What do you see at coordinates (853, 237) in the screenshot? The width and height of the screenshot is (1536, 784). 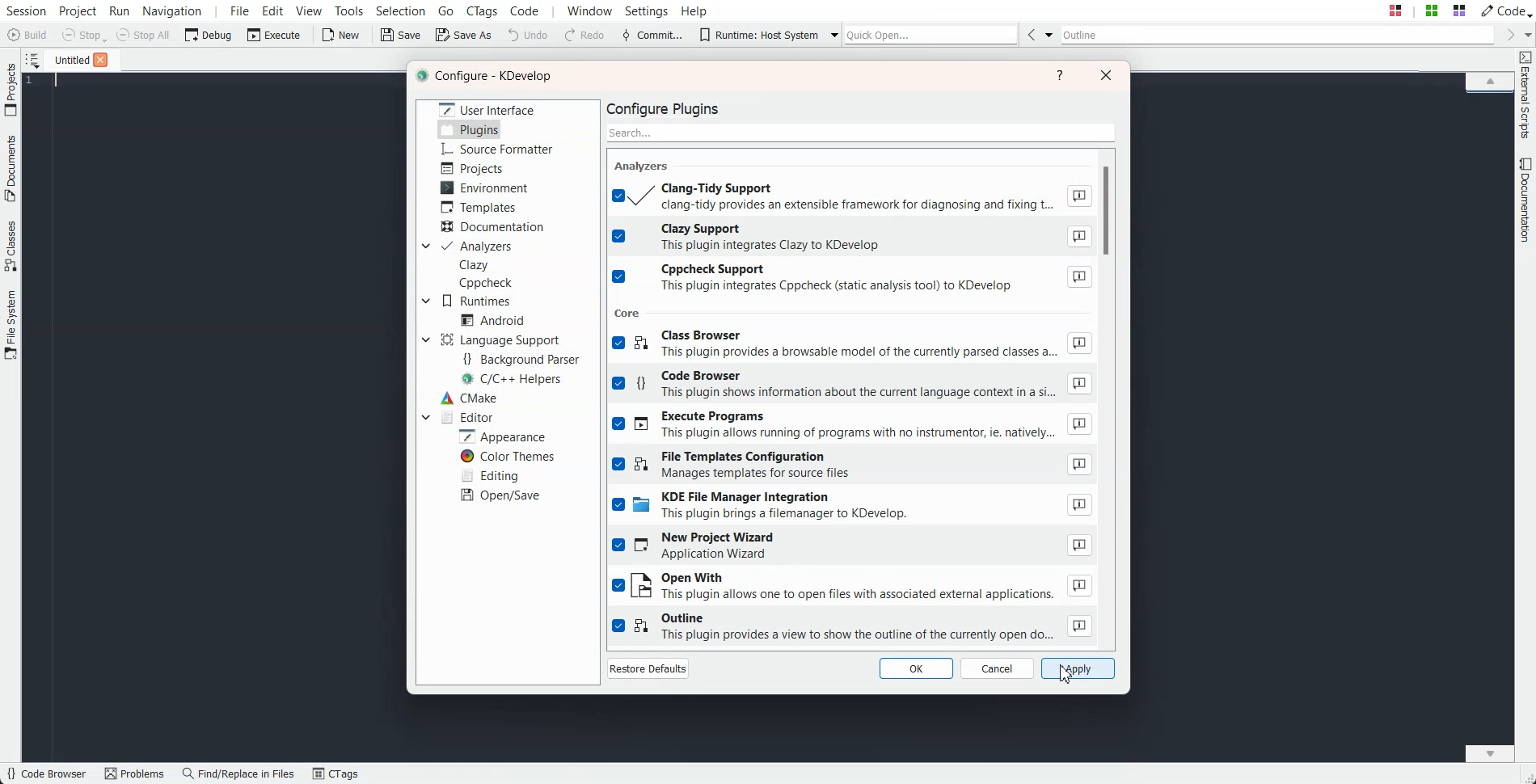 I see `Enable Clazy Support` at bounding box center [853, 237].